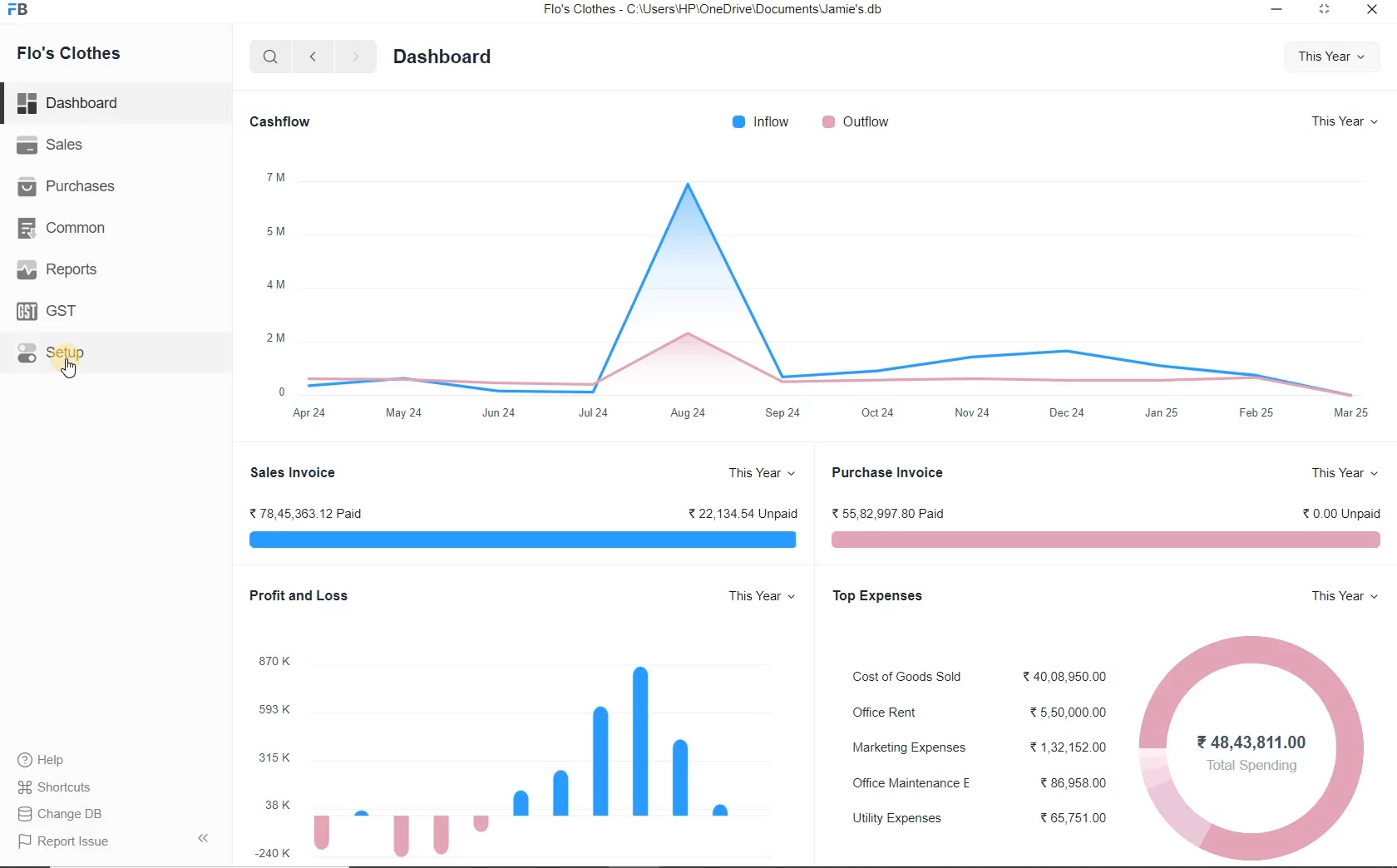 The height and width of the screenshot is (868, 1397). What do you see at coordinates (116, 225) in the screenshot?
I see `Common` at bounding box center [116, 225].